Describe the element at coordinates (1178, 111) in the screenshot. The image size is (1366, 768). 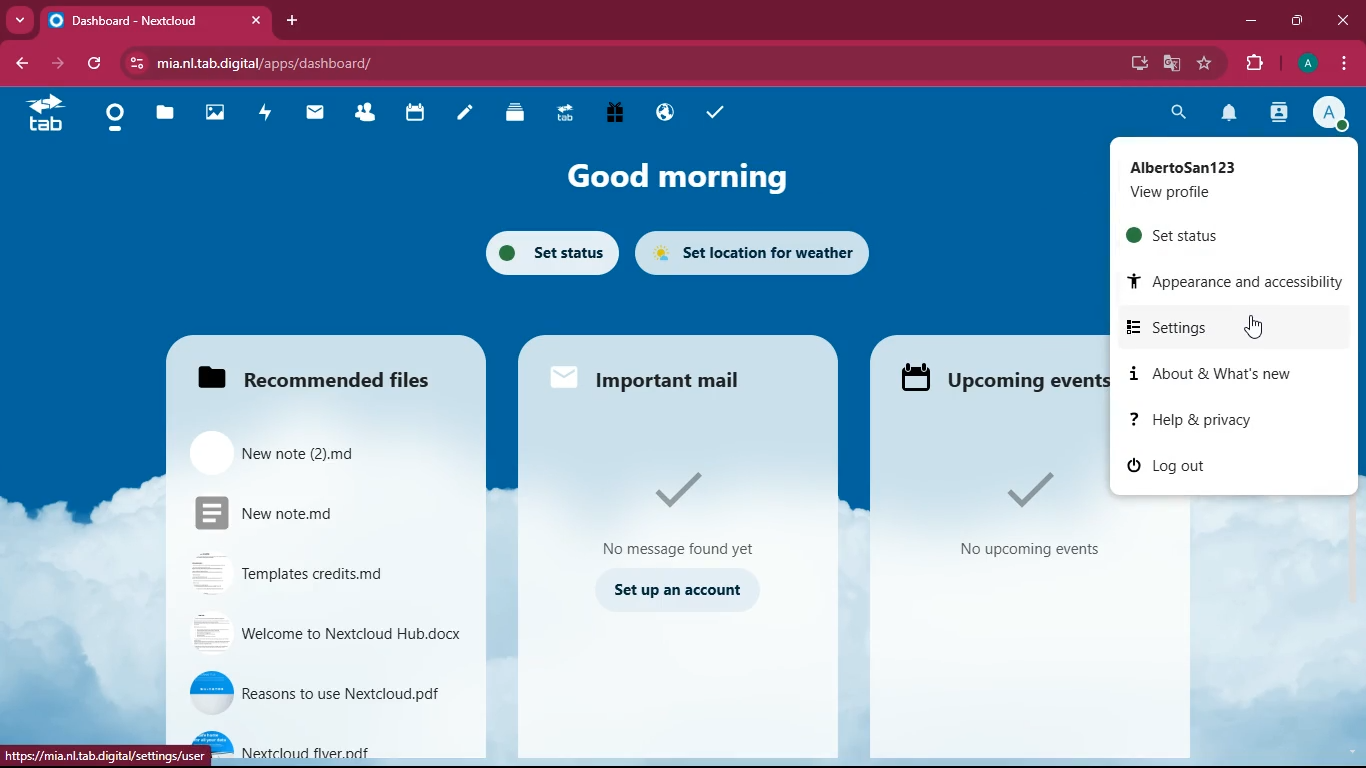
I see `search` at that location.